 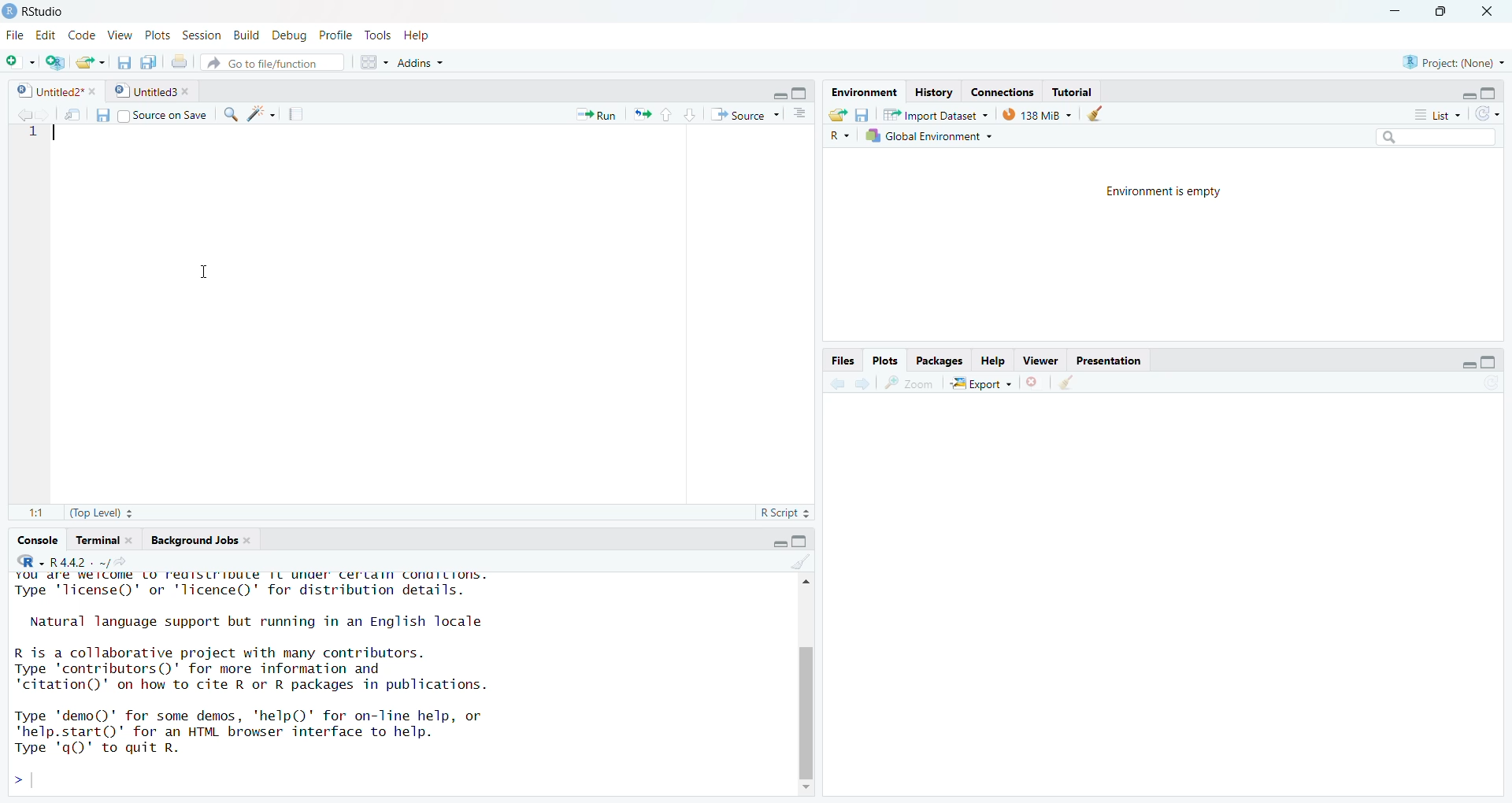 I want to click on Find/Replace, so click(x=230, y=115).